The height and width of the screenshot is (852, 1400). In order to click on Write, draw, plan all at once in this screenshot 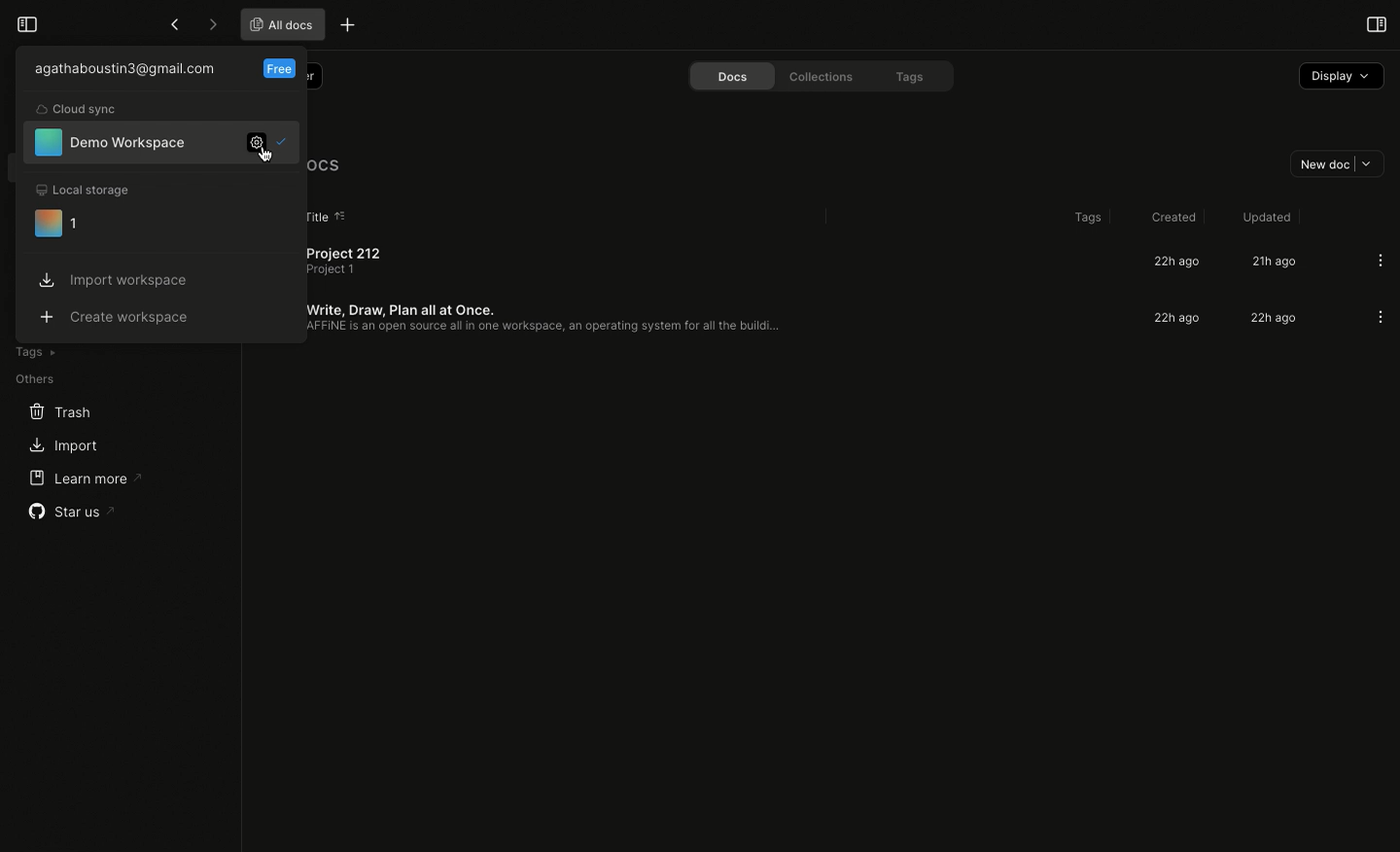, I will do `click(530, 316)`.